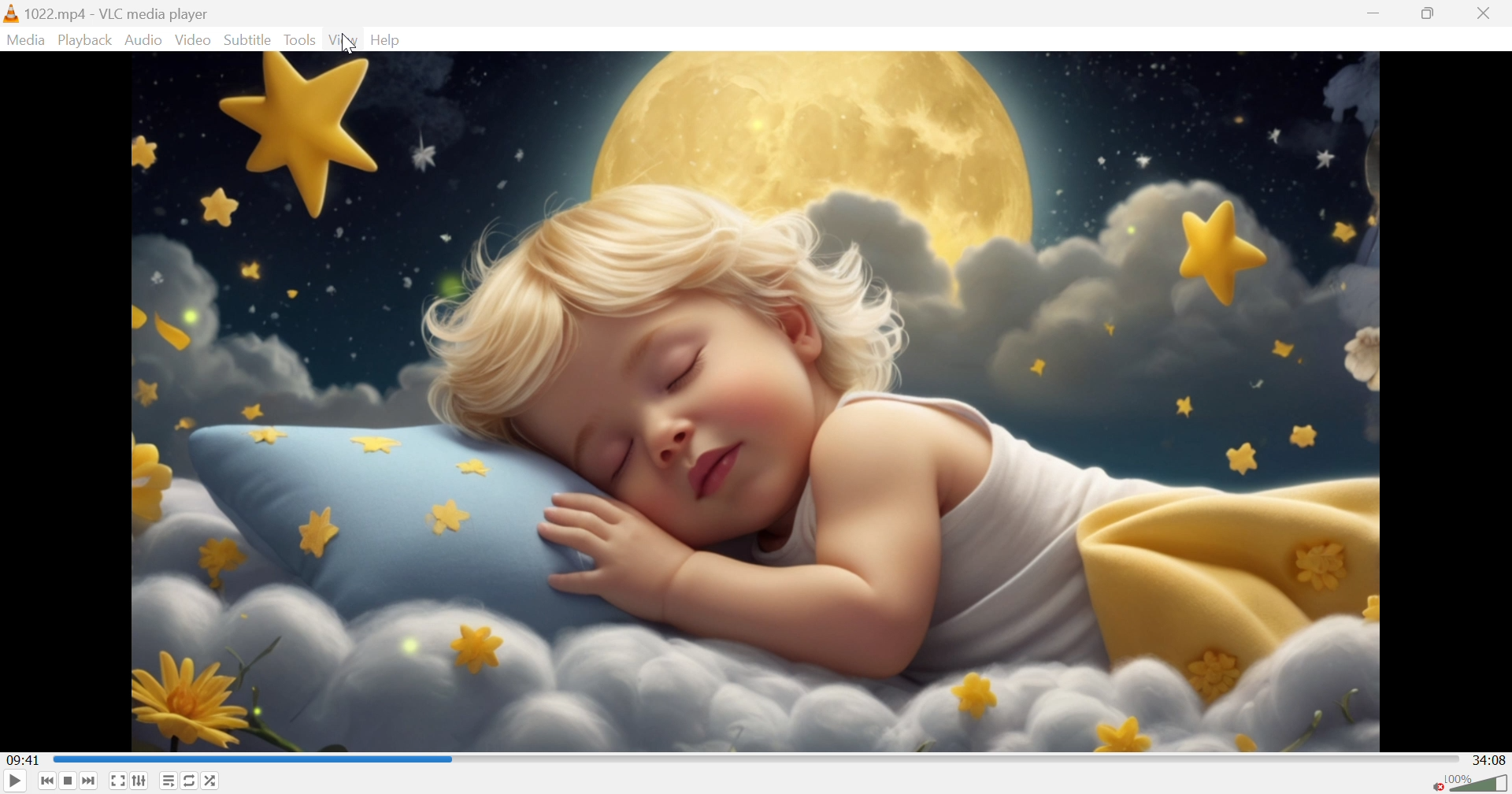 This screenshot has height=794, width=1512. I want to click on Show extended settings, so click(143, 781).